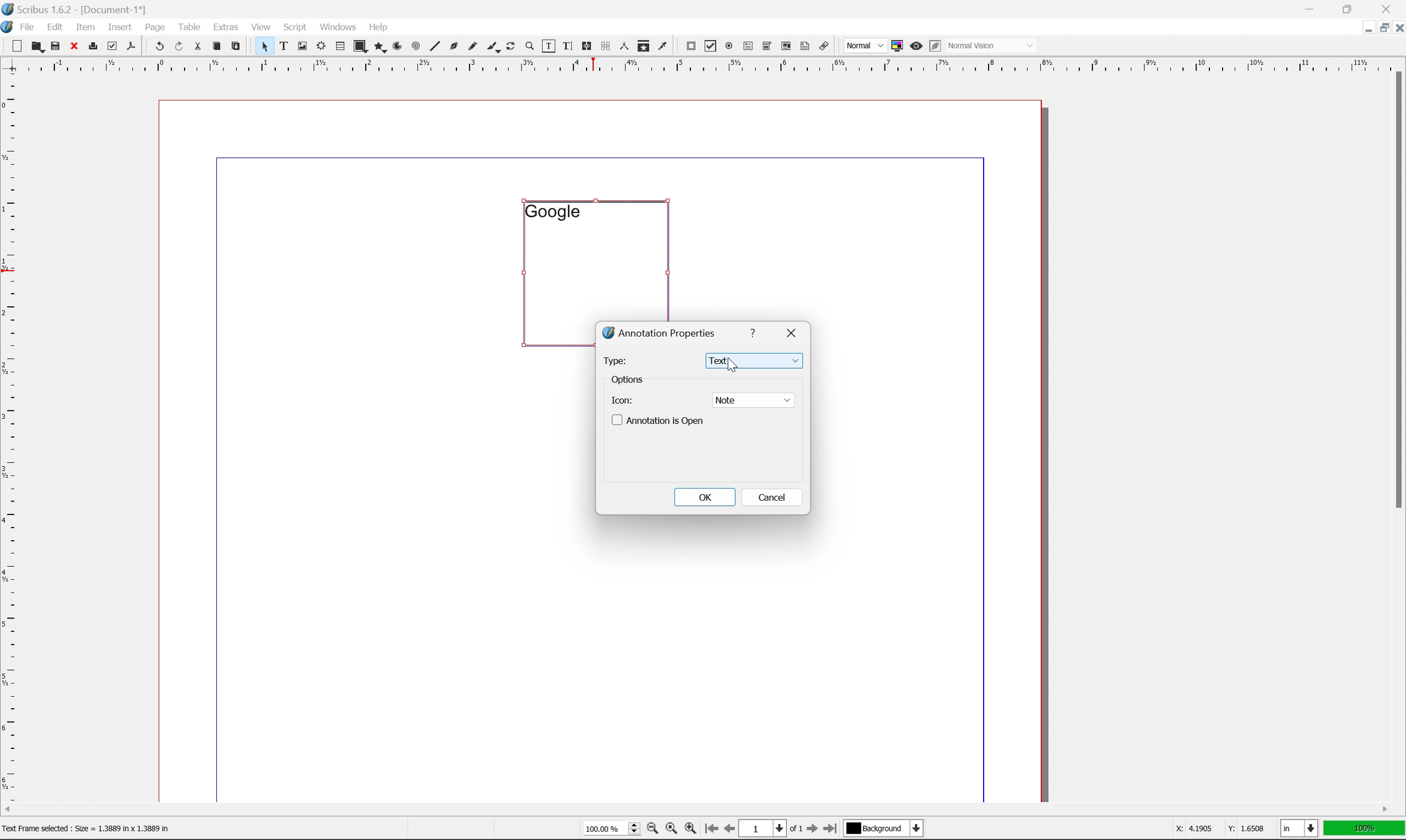 Image resolution: width=1406 pixels, height=840 pixels. Describe the element at coordinates (785, 48) in the screenshot. I see `pdf list box` at that location.